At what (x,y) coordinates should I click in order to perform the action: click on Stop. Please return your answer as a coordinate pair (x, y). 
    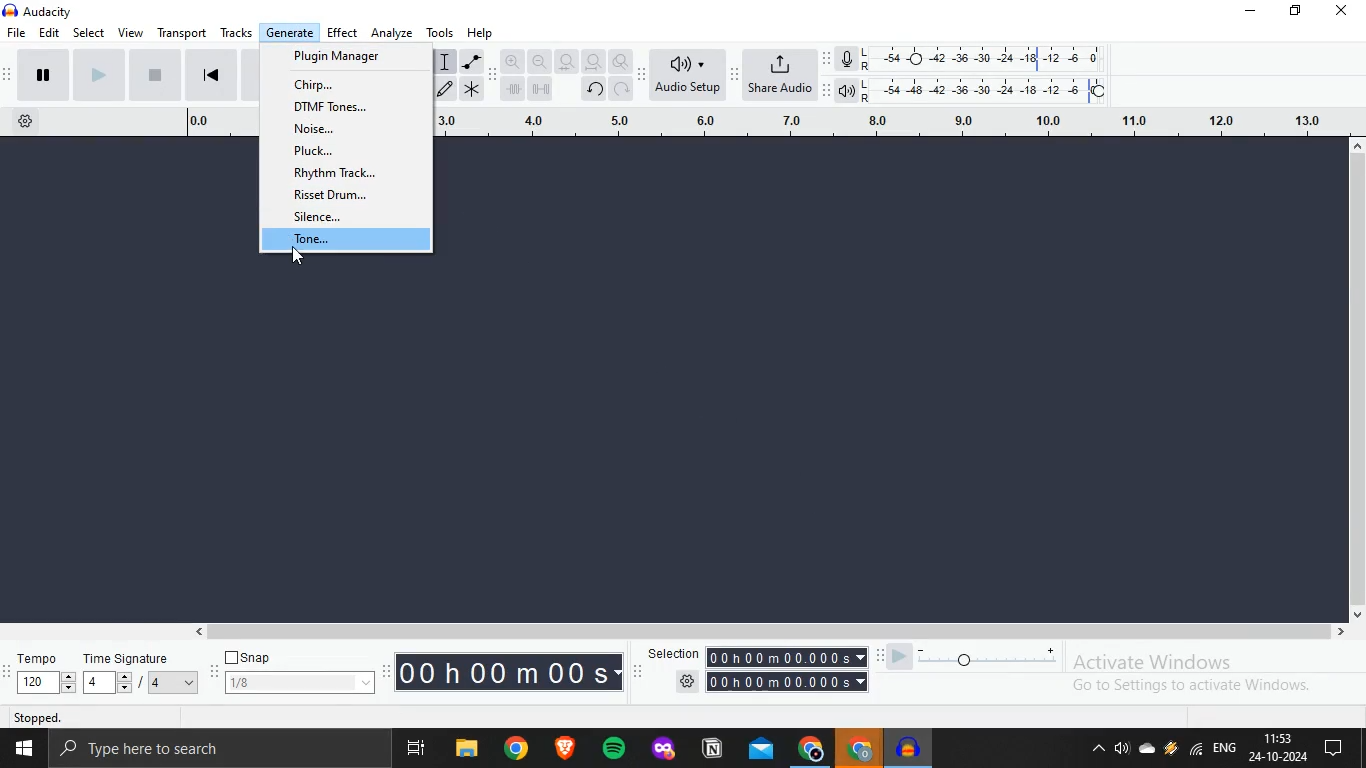
    Looking at the image, I should click on (154, 77).